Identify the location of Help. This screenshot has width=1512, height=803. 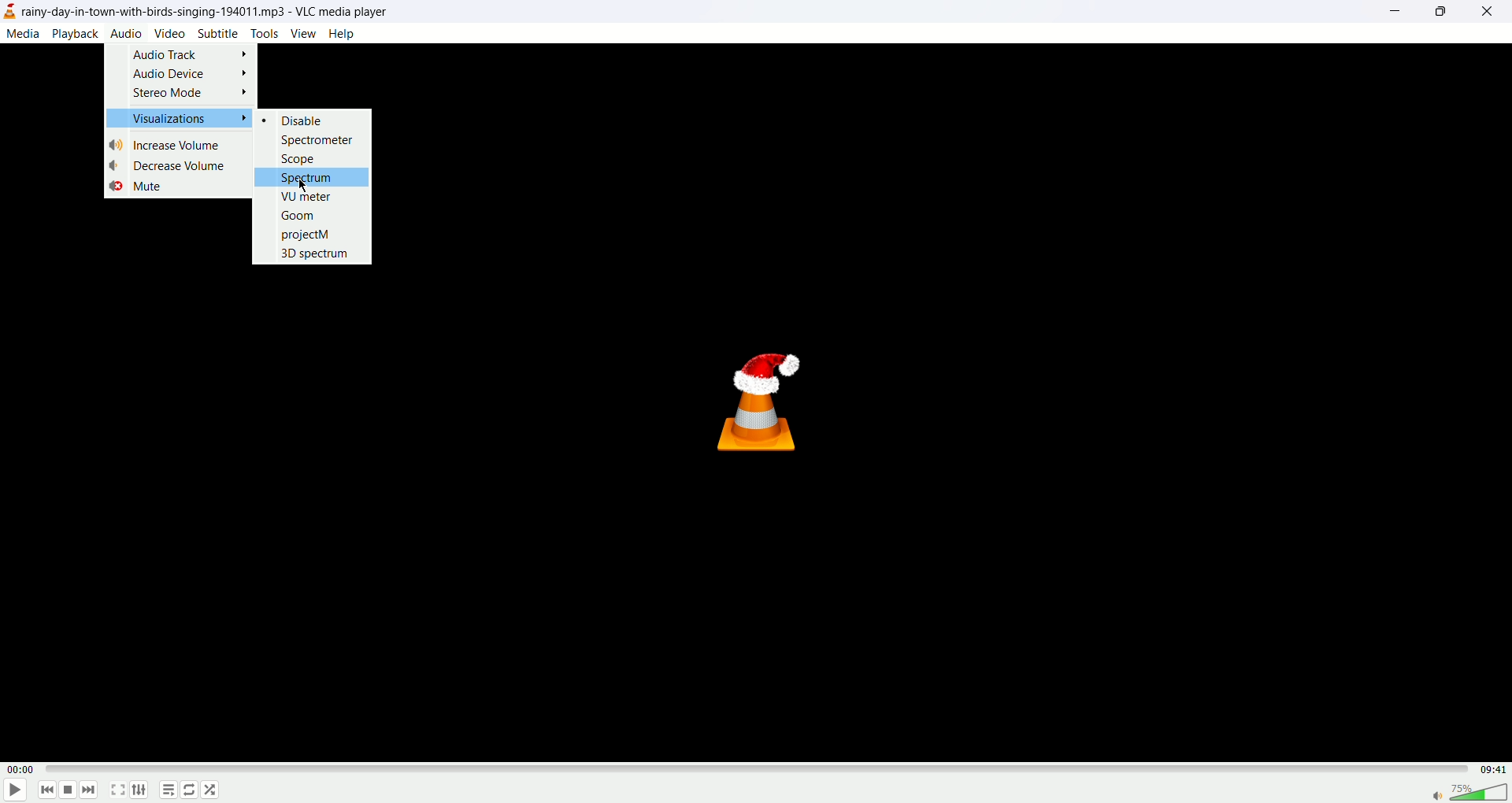
(342, 32).